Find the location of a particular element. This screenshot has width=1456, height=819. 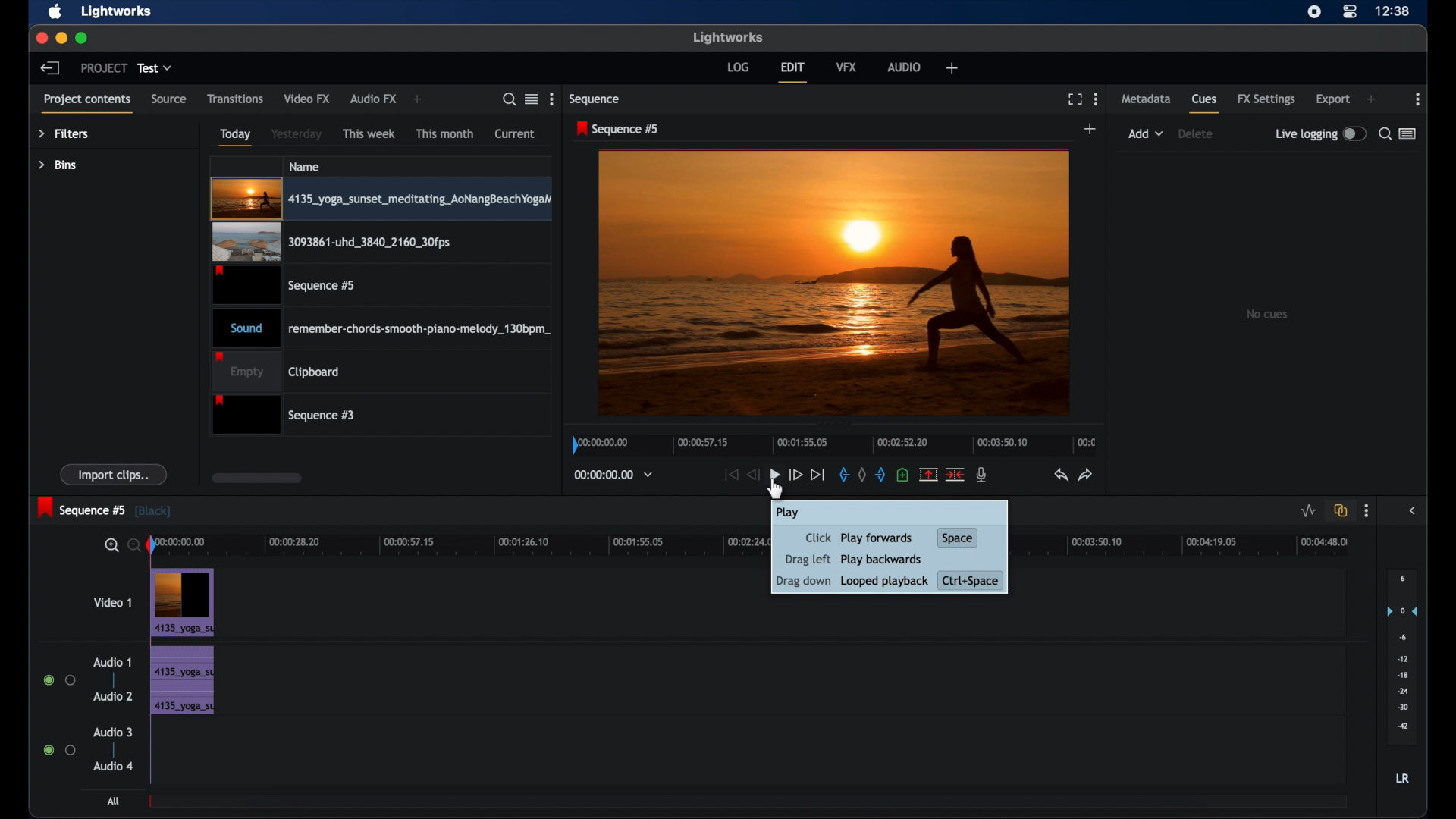

add is located at coordinates (1371, 99).